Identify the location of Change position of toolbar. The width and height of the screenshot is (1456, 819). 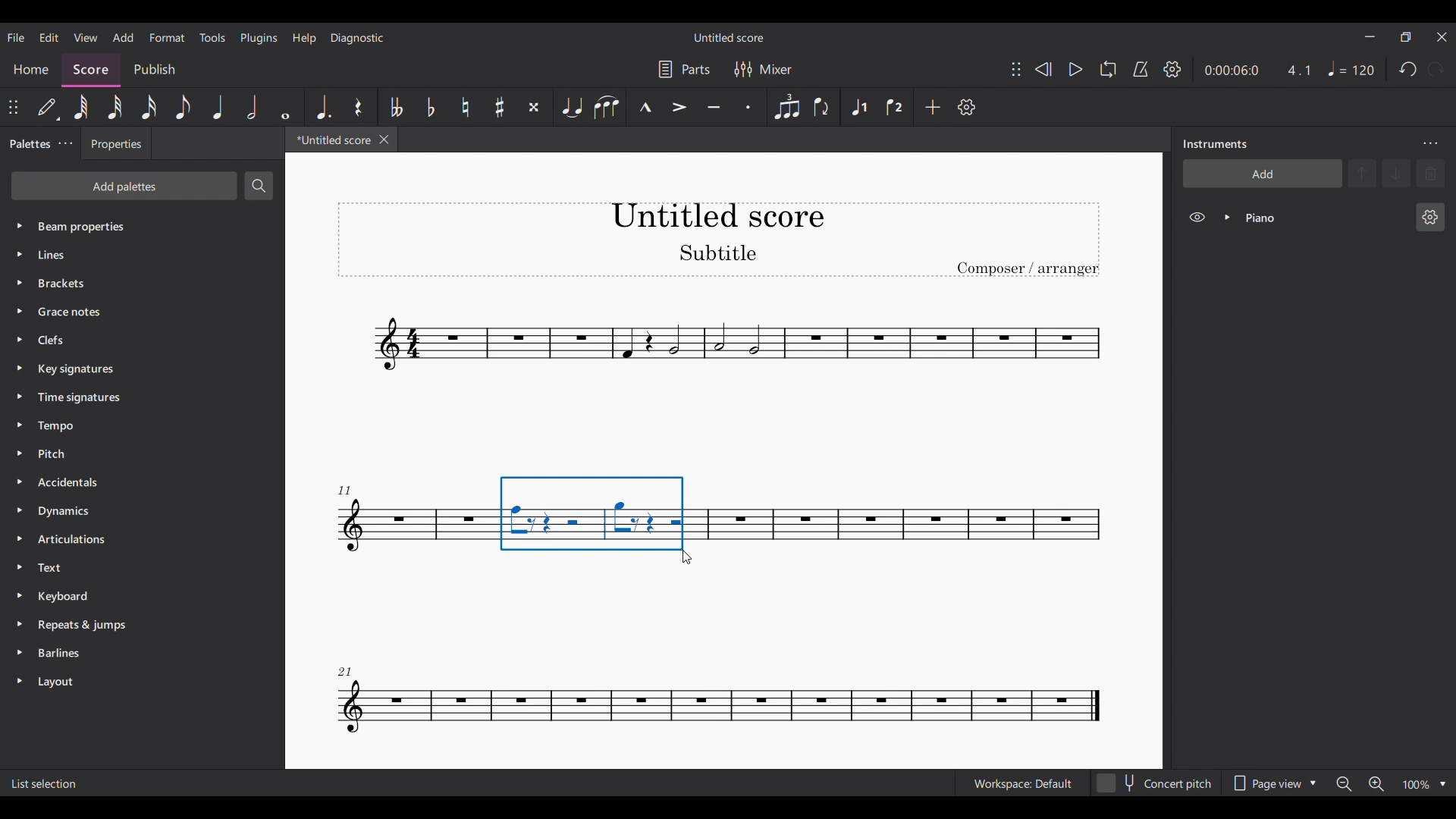
(14, 107).